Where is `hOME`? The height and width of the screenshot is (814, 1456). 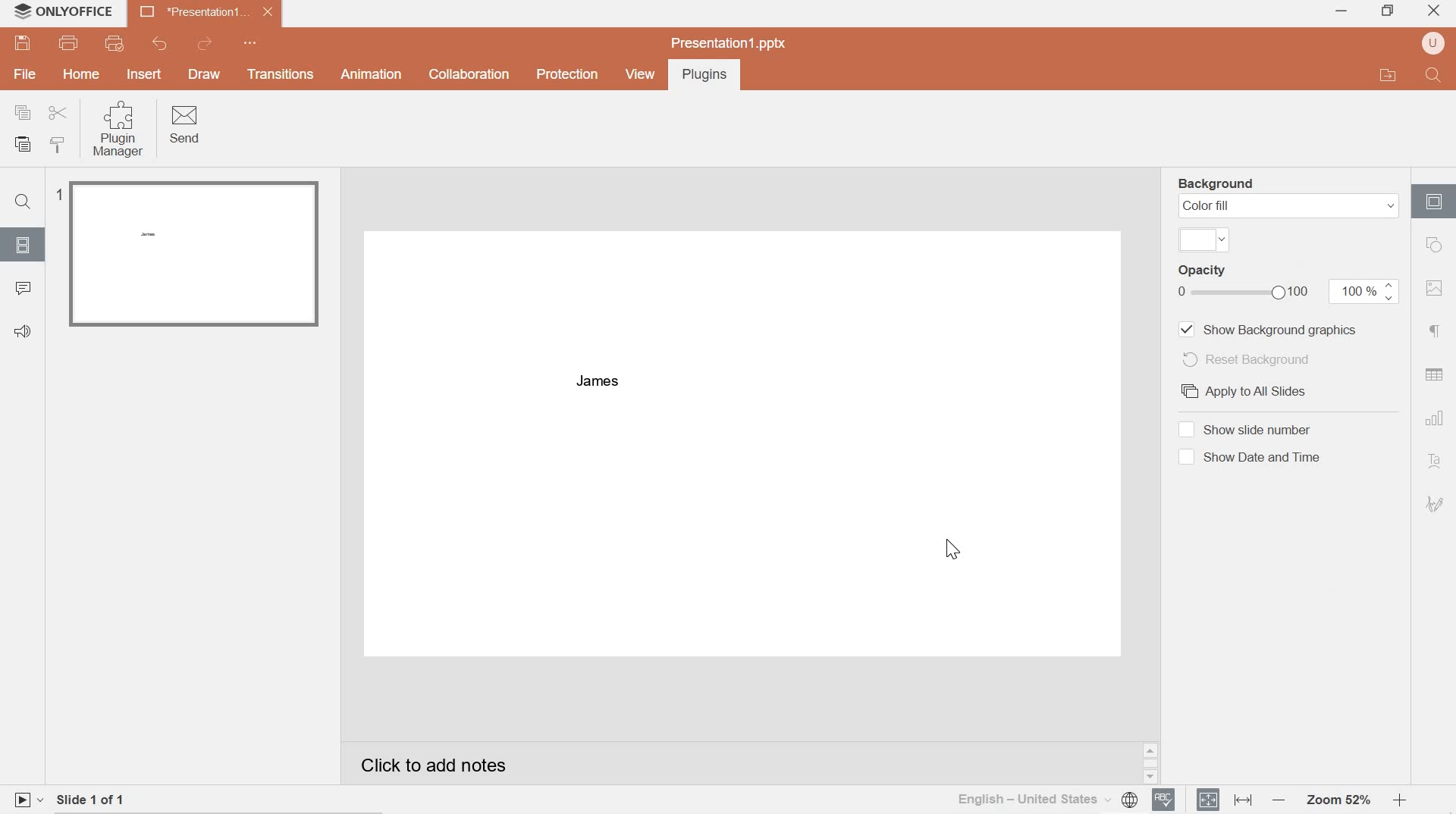
hOME is located at coordinates (82, 76).